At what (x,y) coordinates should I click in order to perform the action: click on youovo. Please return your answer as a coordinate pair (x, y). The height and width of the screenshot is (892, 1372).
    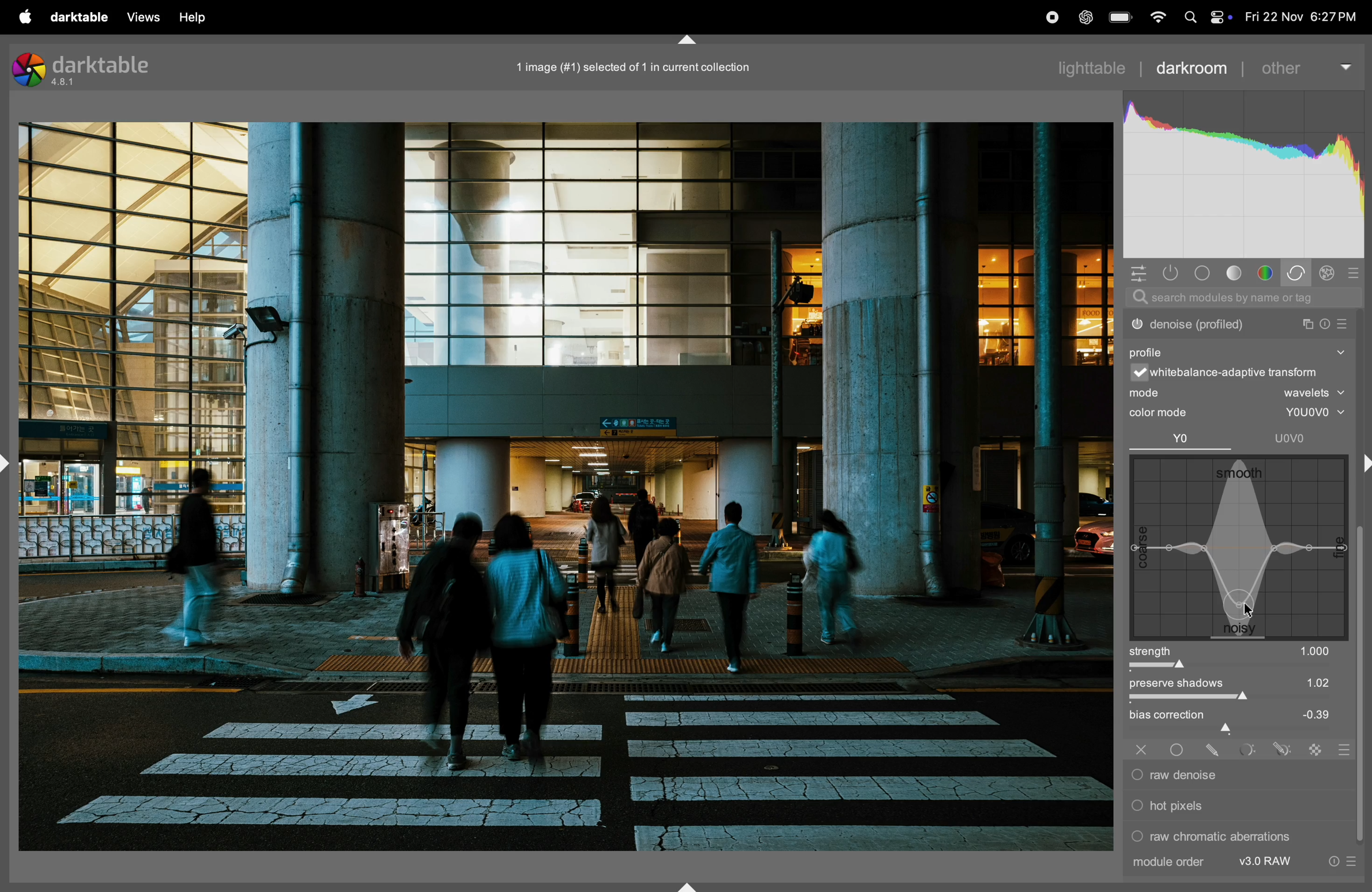
    Looking at the image, I should click on (1308, 413).